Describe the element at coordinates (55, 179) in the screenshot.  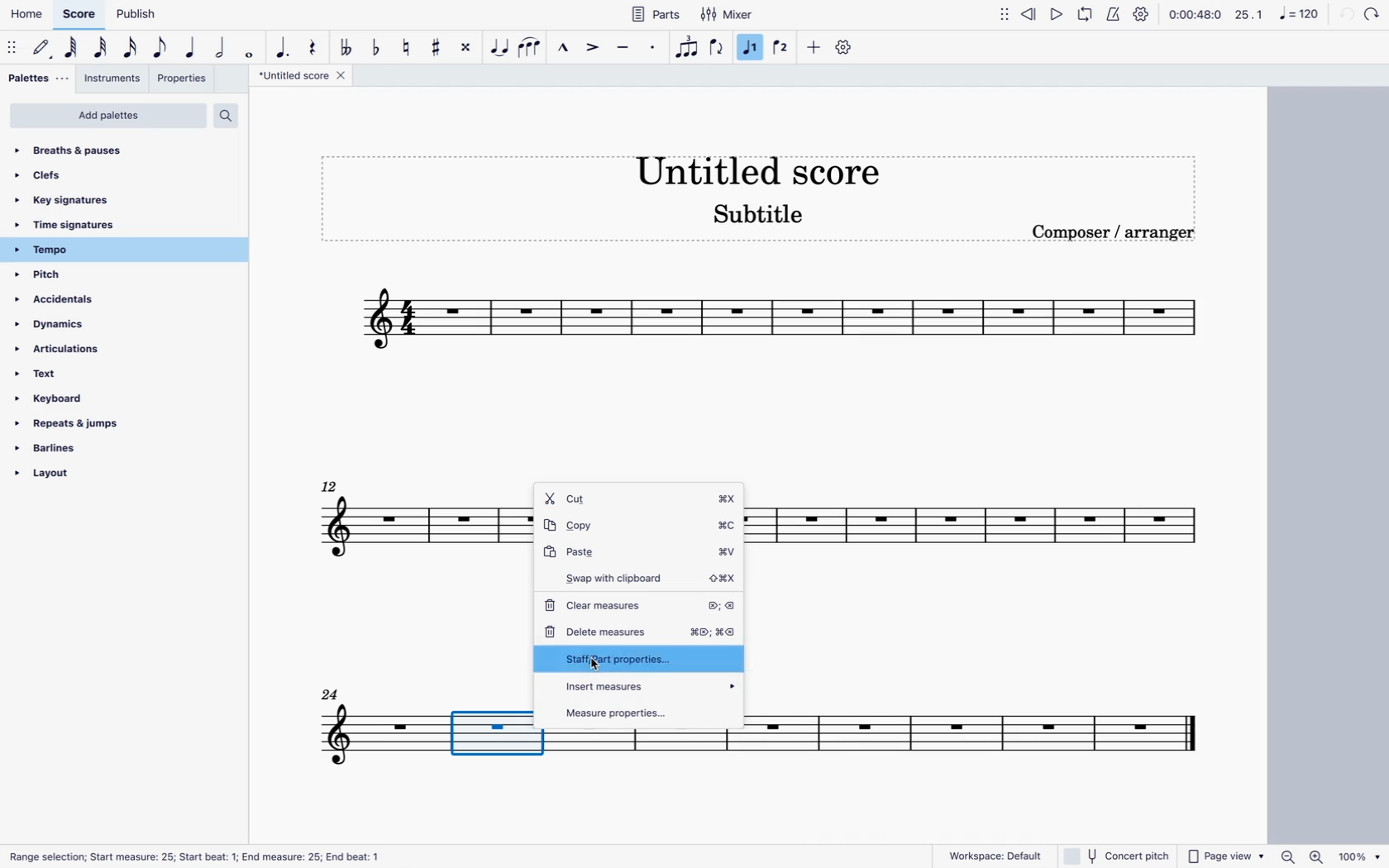
I see `clefs` at that location.